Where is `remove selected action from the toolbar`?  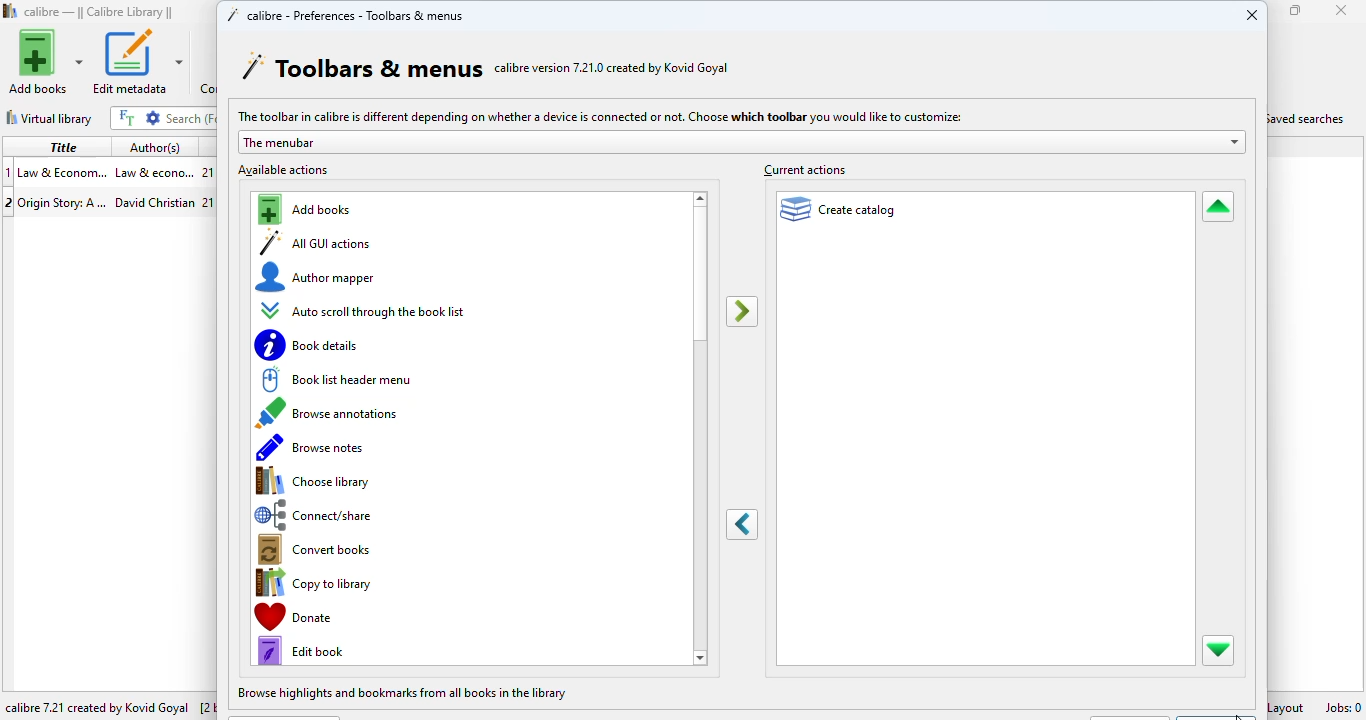
remove selected action from the toolbar is located at coordinates (743, 525).